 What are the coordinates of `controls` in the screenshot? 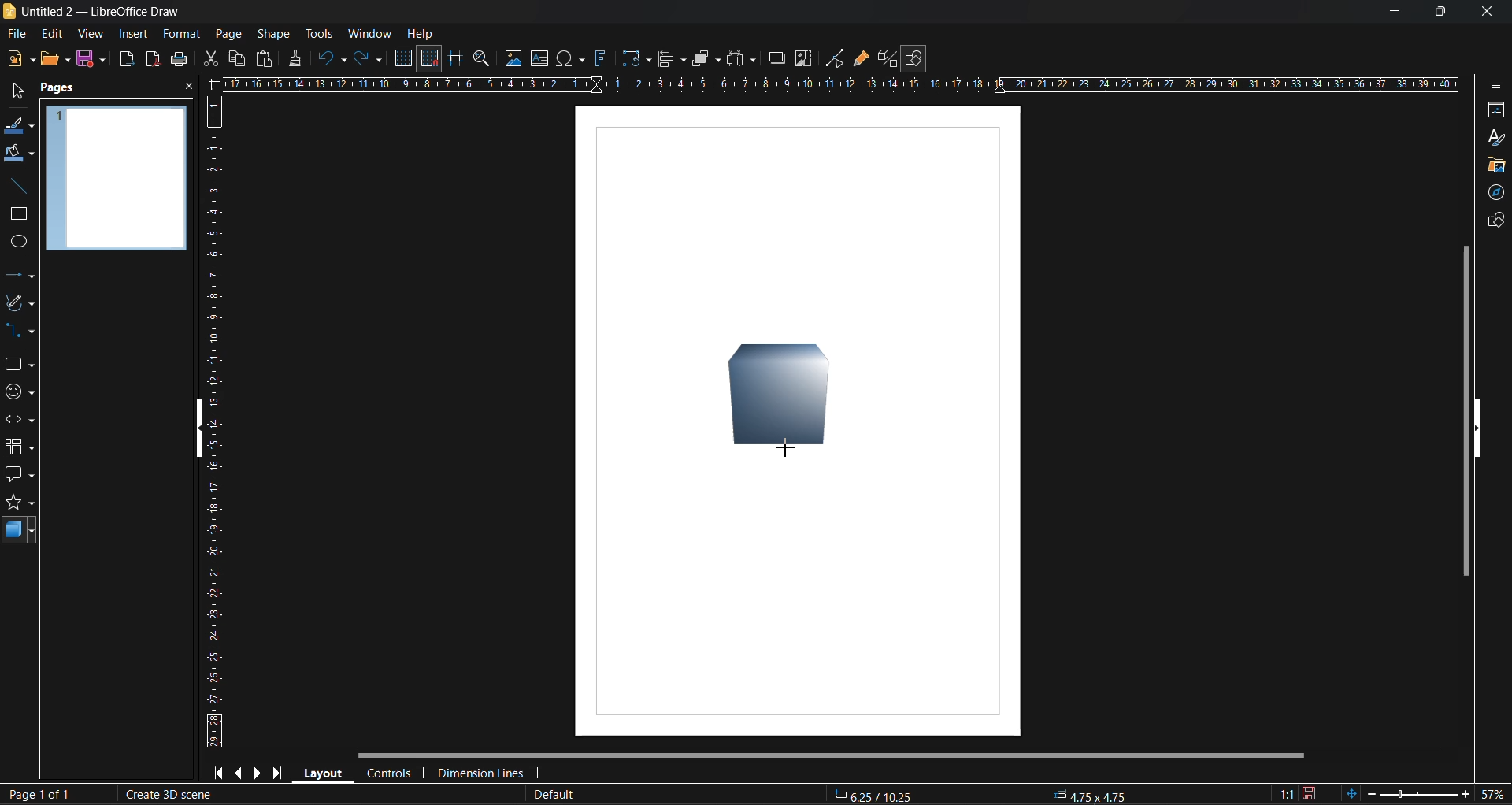 It's located at (392, 773).